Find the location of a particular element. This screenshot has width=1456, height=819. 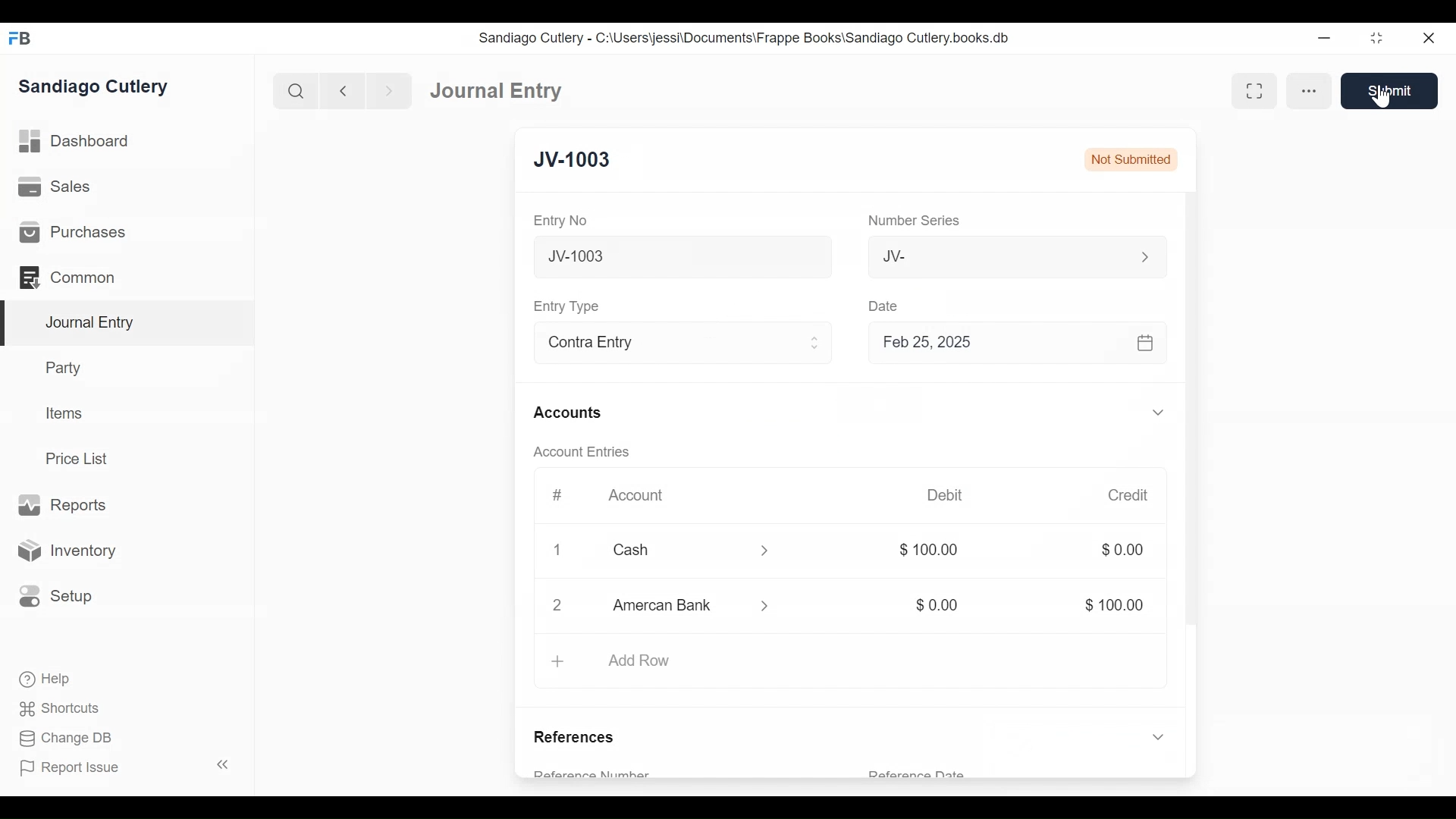

Purchases is located at coordinates (73, 233).